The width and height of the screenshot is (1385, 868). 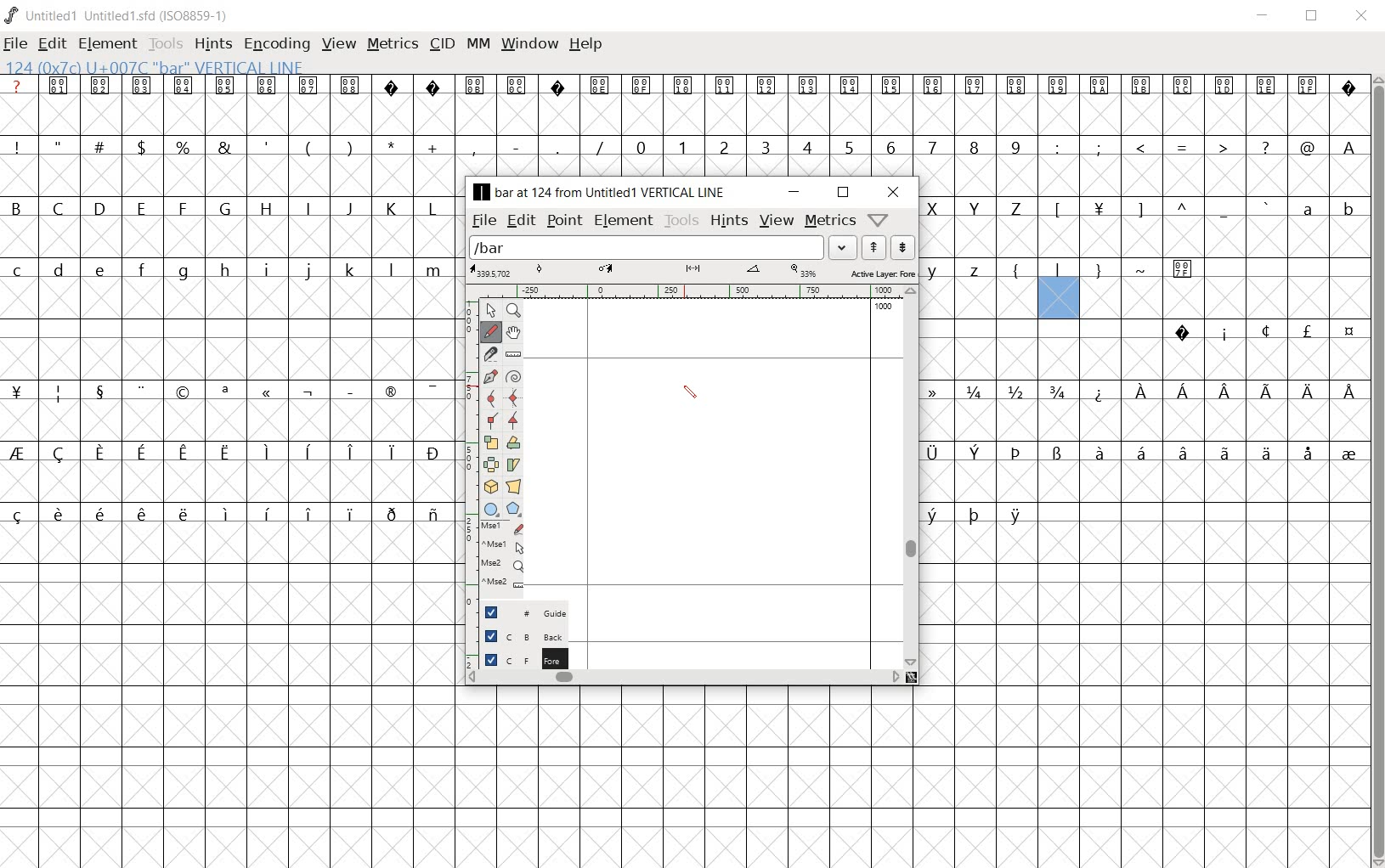 I want to click on help, so click(x=587, y=45).